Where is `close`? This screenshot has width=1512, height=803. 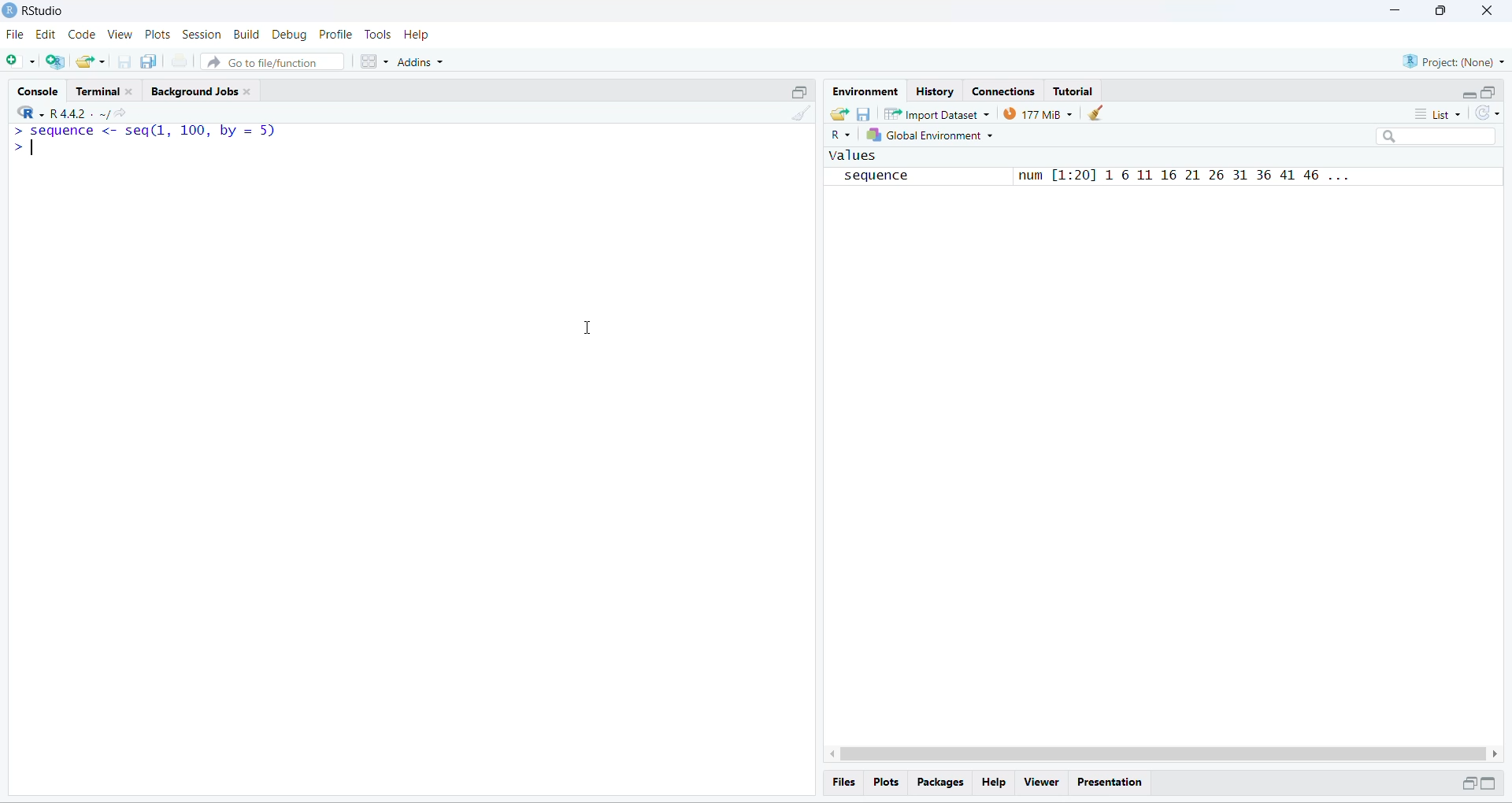 close is located at coordinates (247, 92).